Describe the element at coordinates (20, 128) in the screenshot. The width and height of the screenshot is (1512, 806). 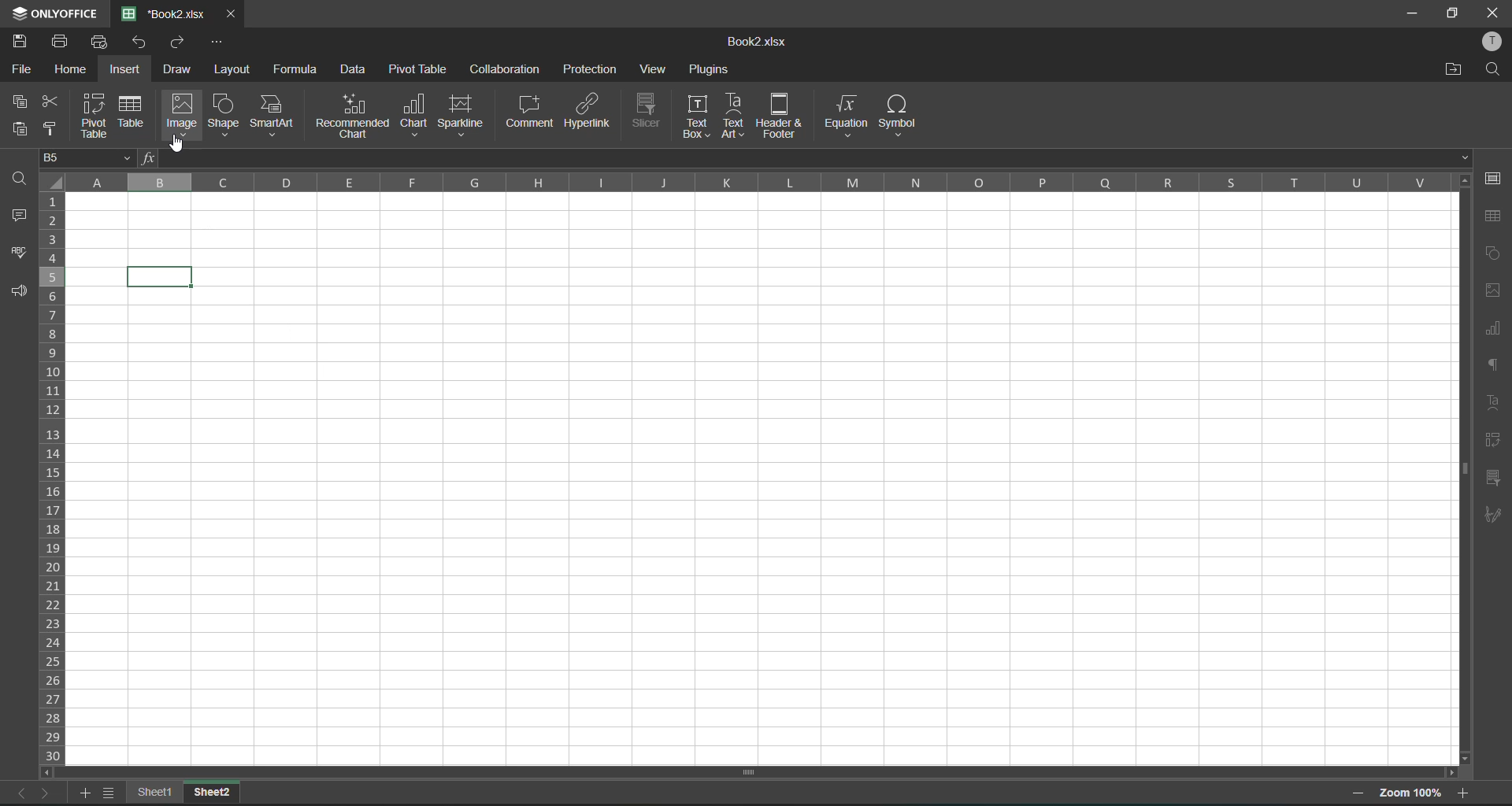
I see `paste` at that location.